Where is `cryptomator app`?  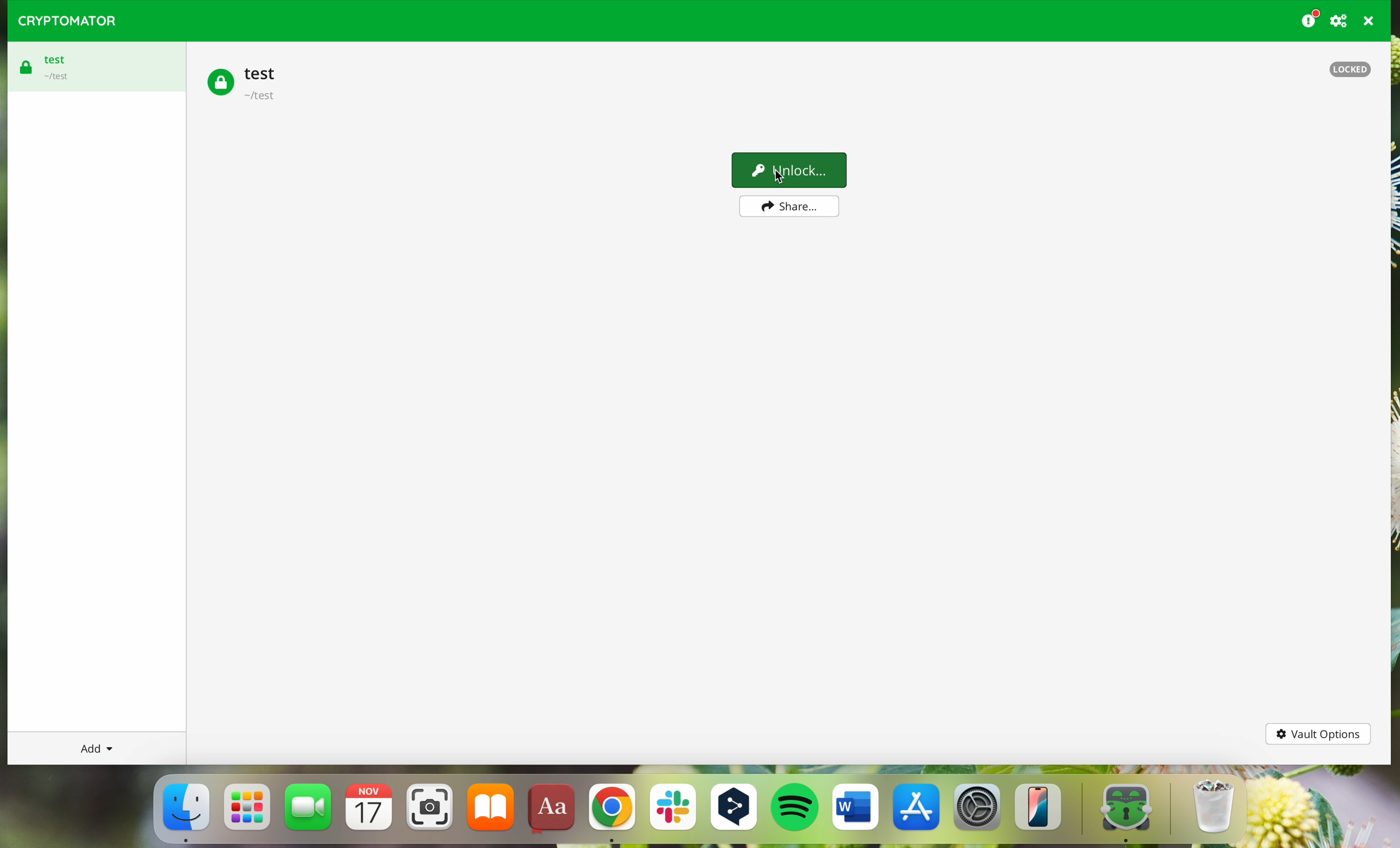 cryptomator app is located at coordinates (1118, 811).